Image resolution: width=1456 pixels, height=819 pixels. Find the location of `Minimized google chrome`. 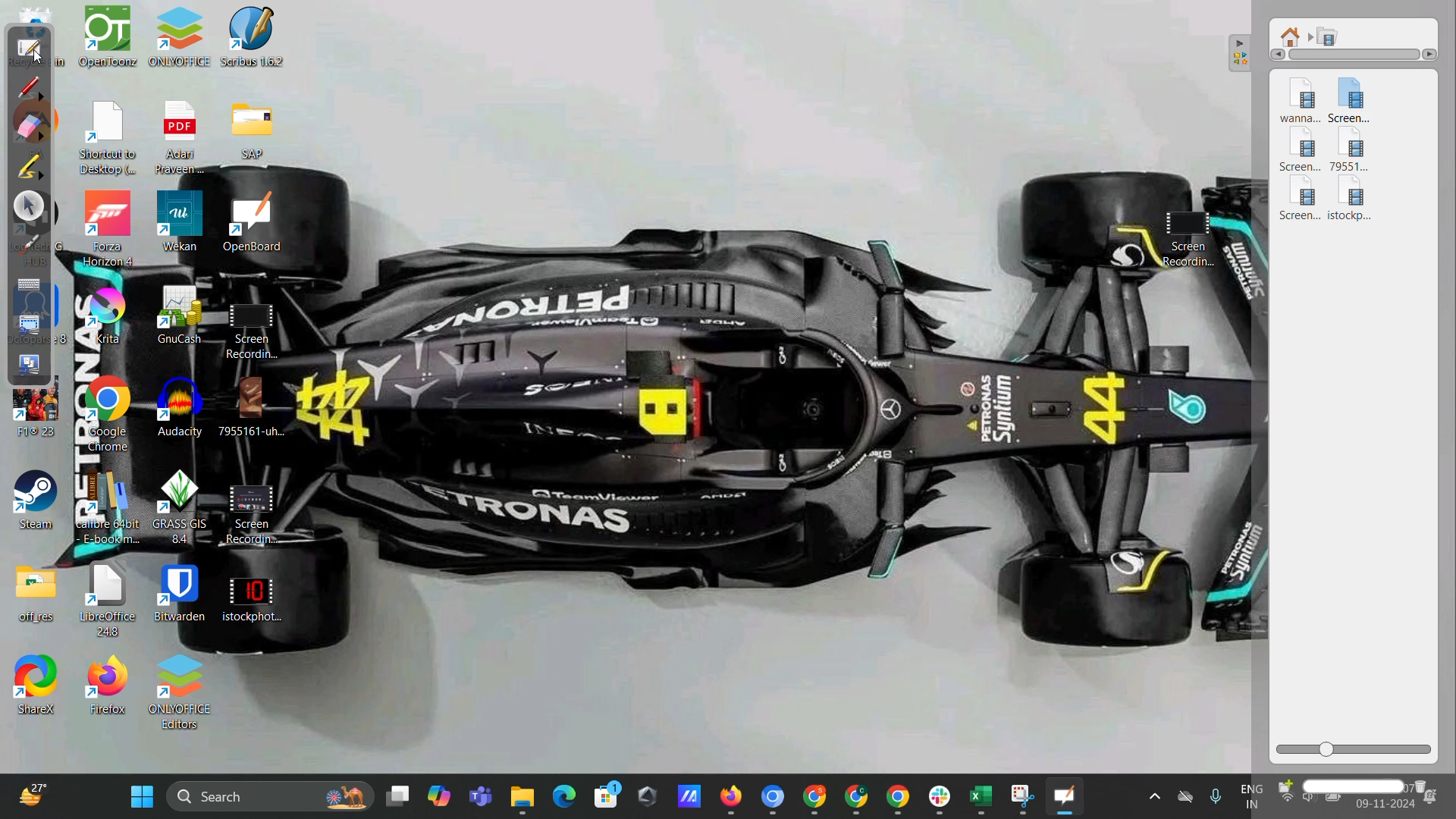

Minimized google chrome is located at coordinates (858, 796).